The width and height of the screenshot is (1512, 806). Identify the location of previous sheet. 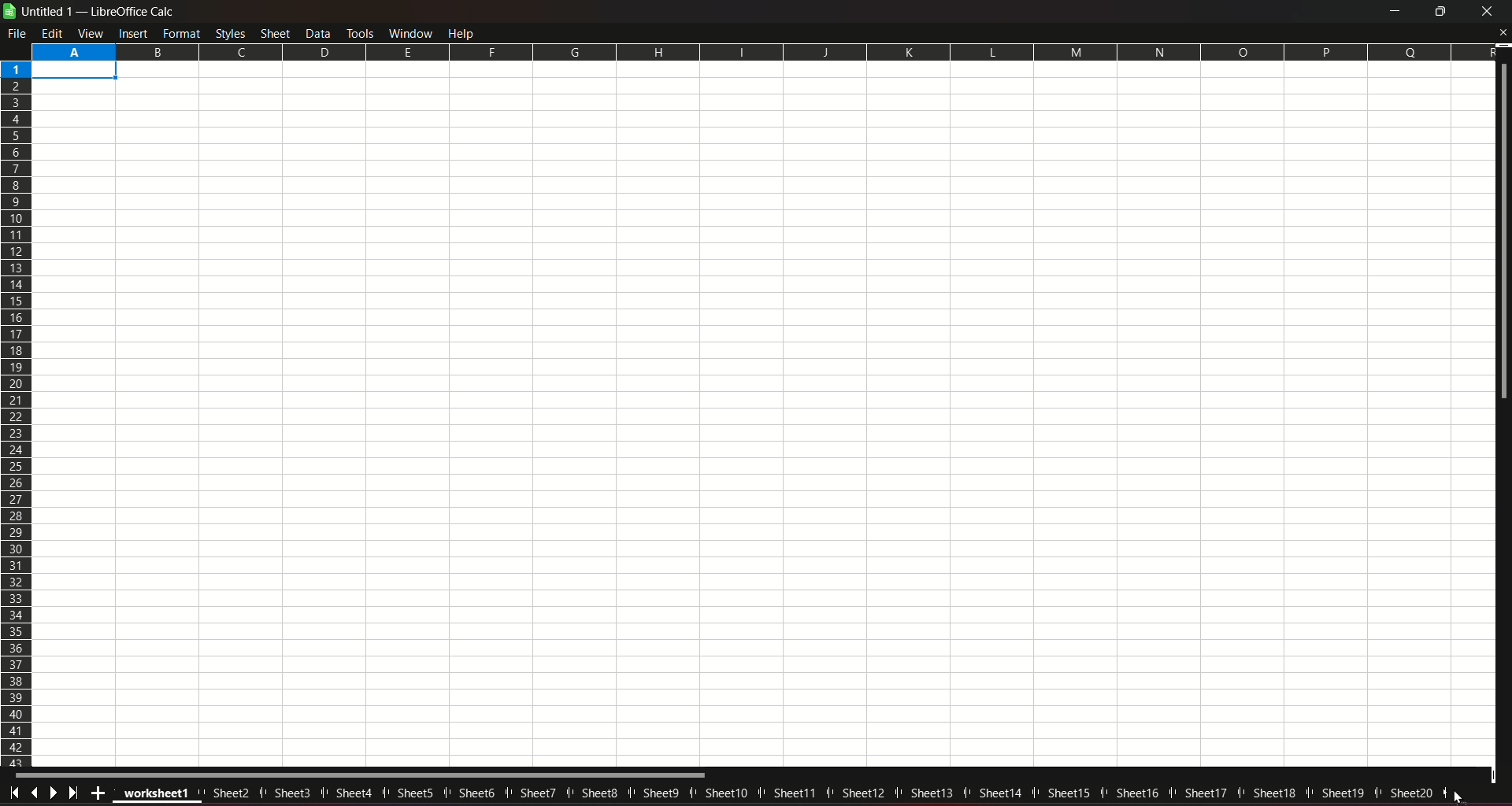
(36, 791).